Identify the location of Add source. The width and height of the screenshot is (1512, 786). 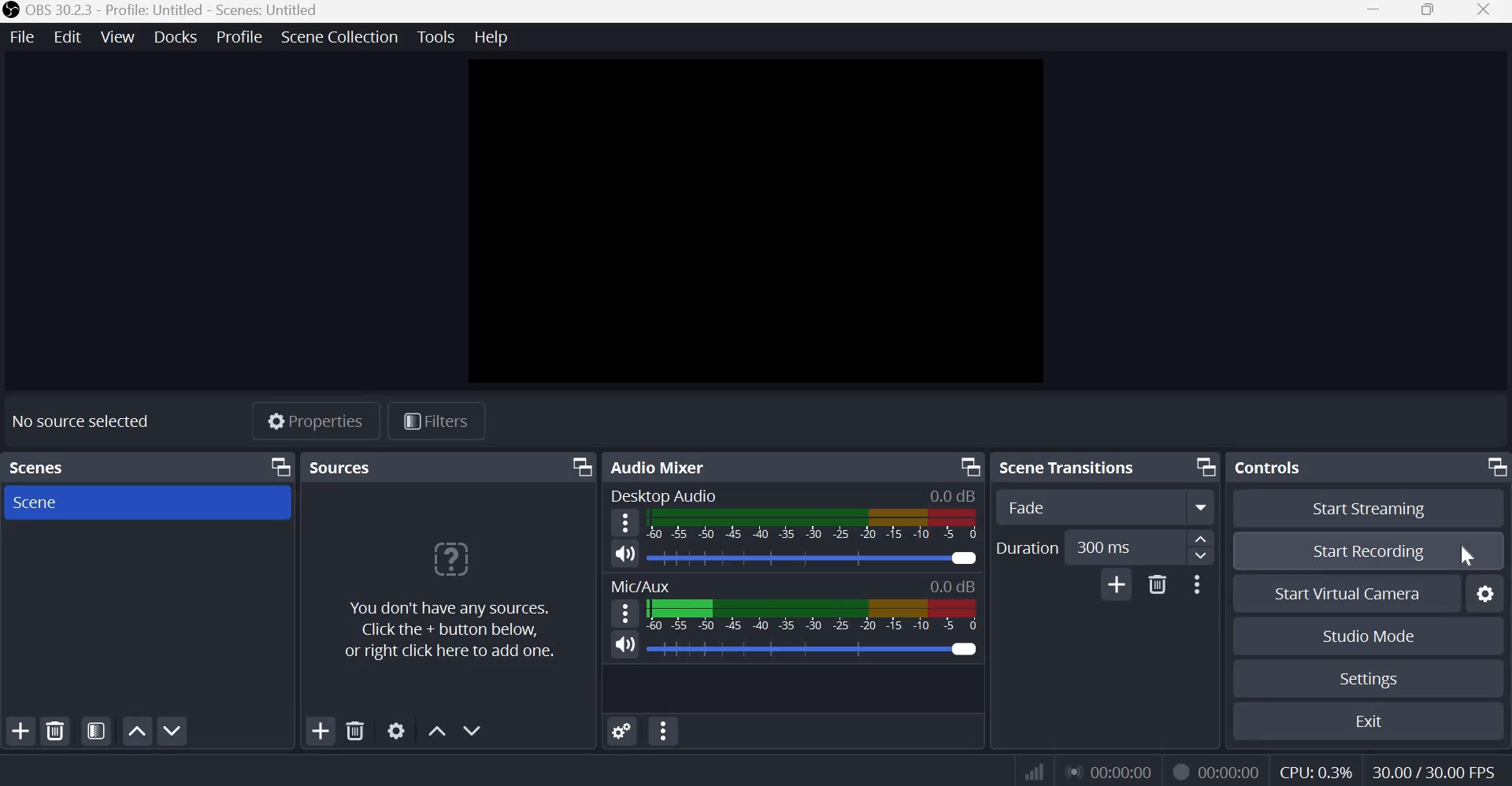
(321, 731).